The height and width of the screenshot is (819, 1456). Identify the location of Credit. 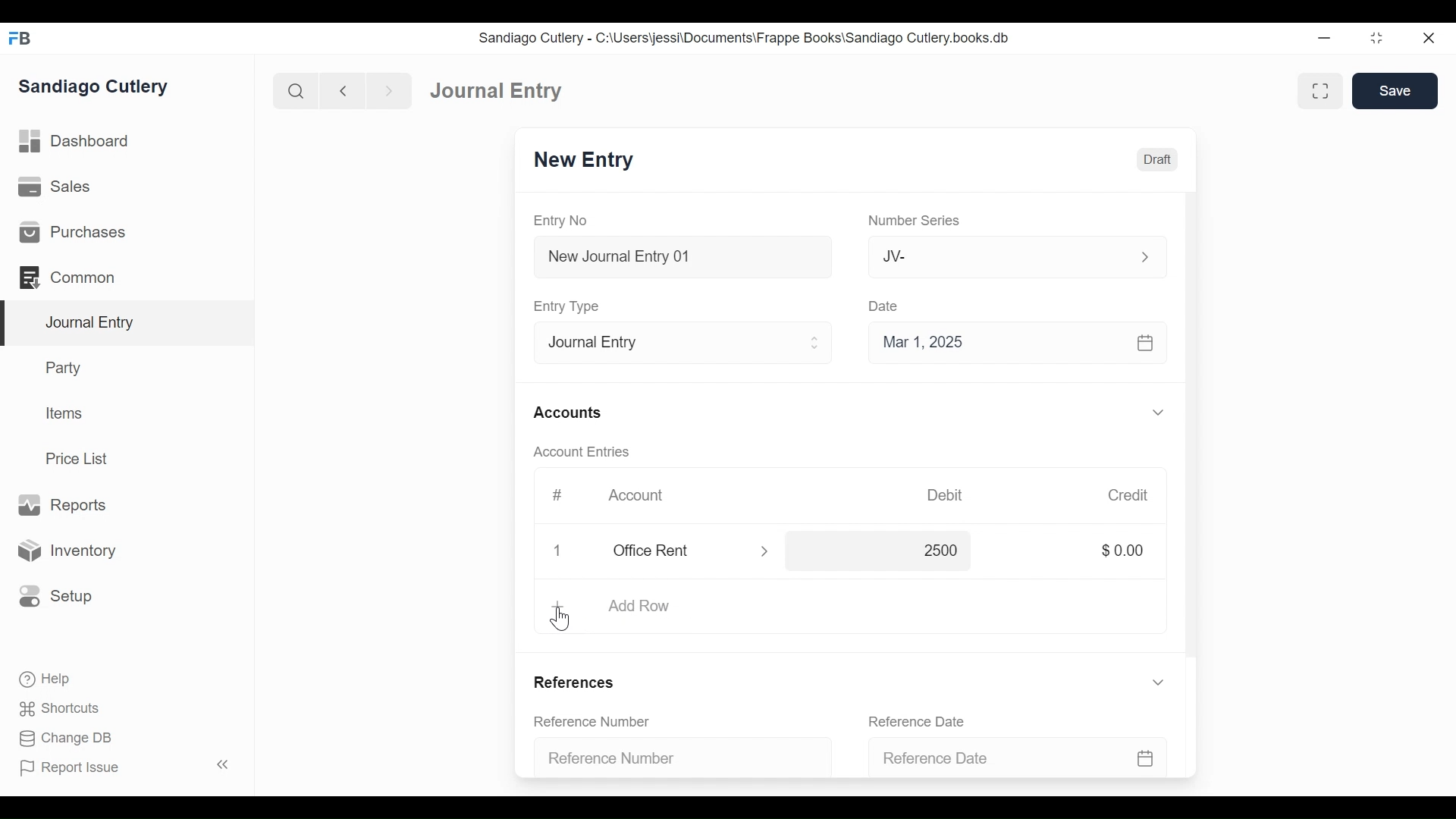
(1128, 495).